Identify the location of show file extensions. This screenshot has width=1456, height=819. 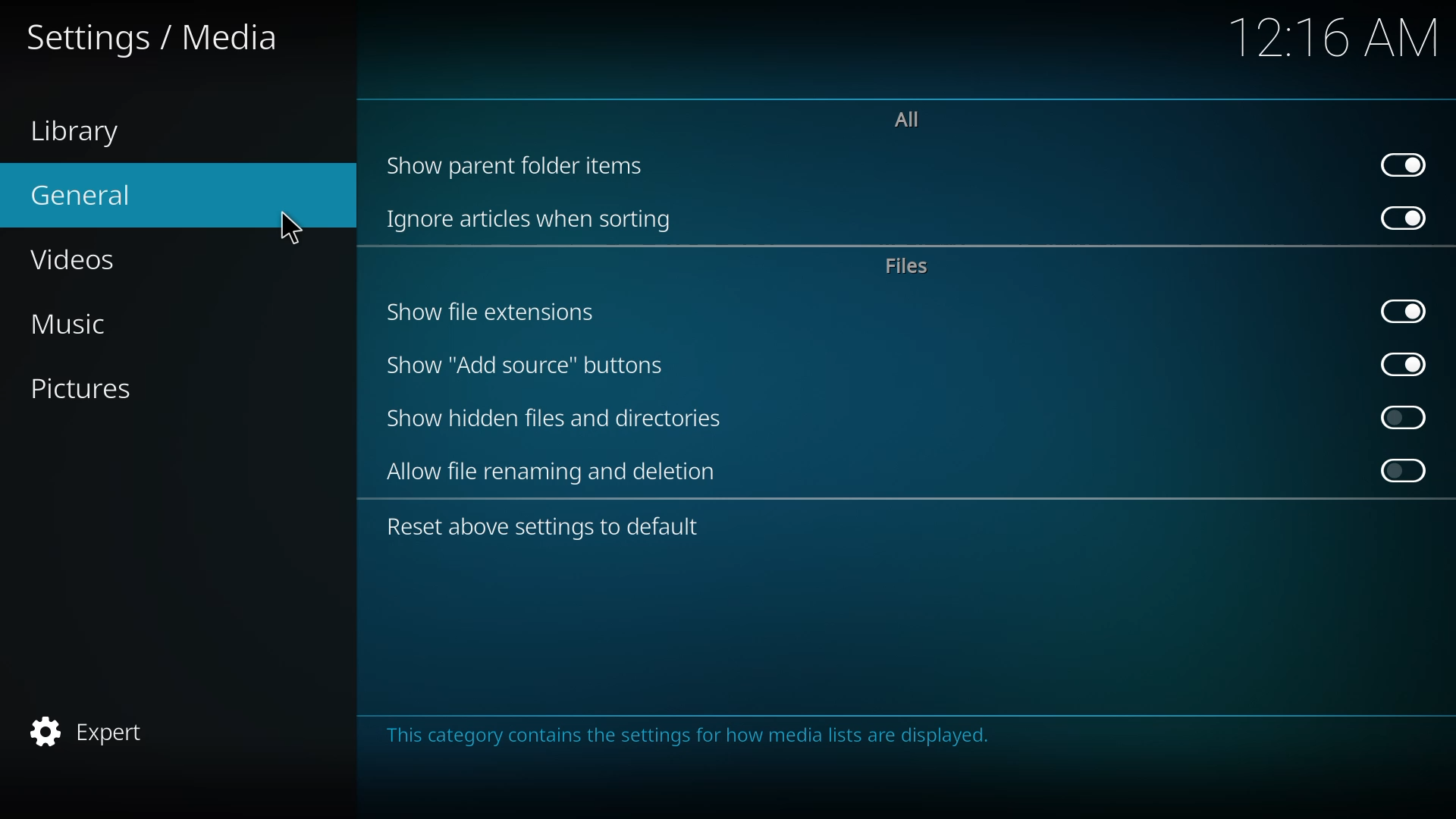
(492, 312).